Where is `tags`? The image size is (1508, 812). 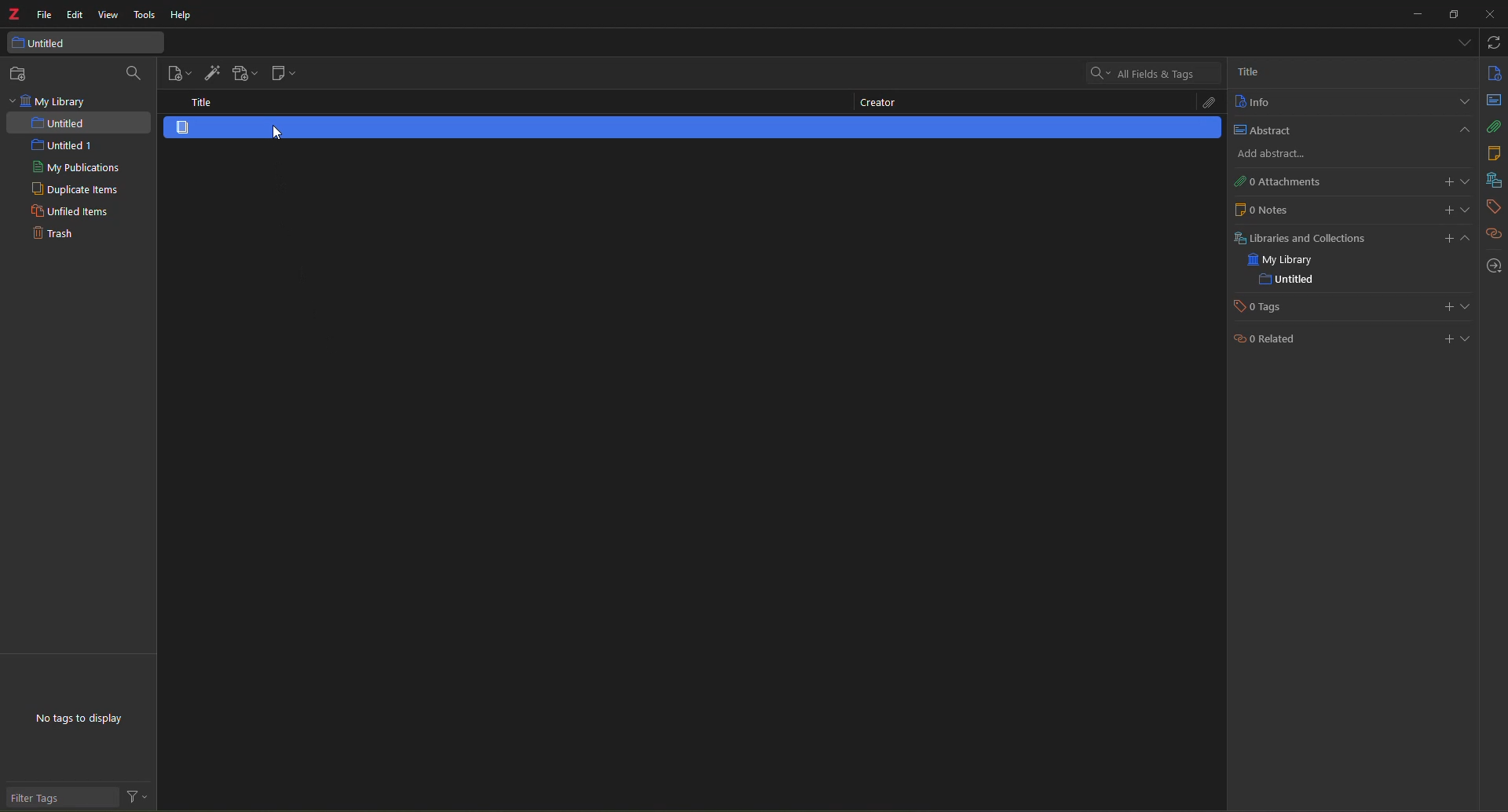 tags is located at coordinates (1263, 307).